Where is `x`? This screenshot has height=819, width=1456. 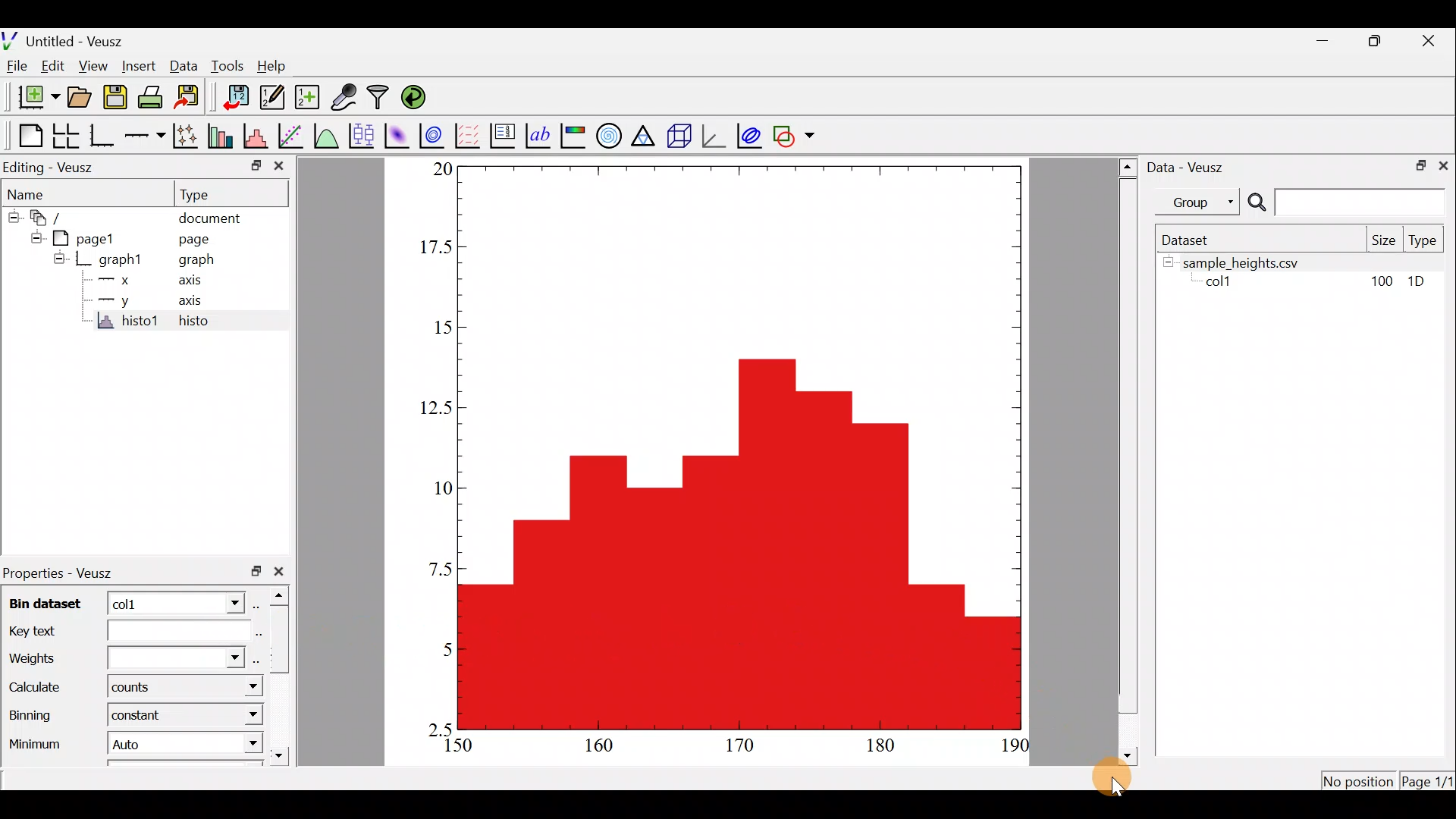
x is located at coordinates (124, 281).